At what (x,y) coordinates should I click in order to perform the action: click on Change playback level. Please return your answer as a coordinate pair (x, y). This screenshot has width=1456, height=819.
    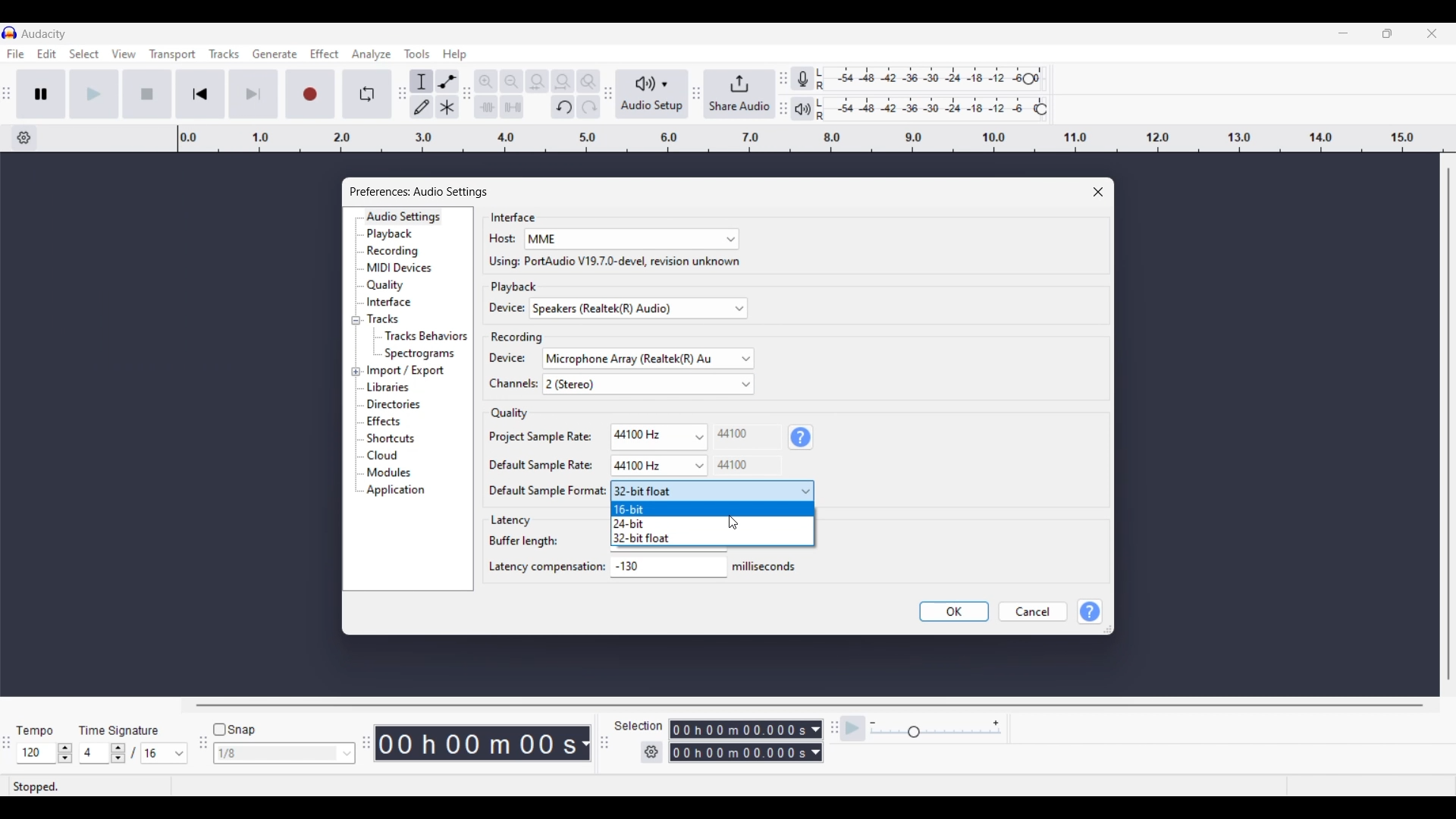
    Looking at the image, I should click on (1041, 110).